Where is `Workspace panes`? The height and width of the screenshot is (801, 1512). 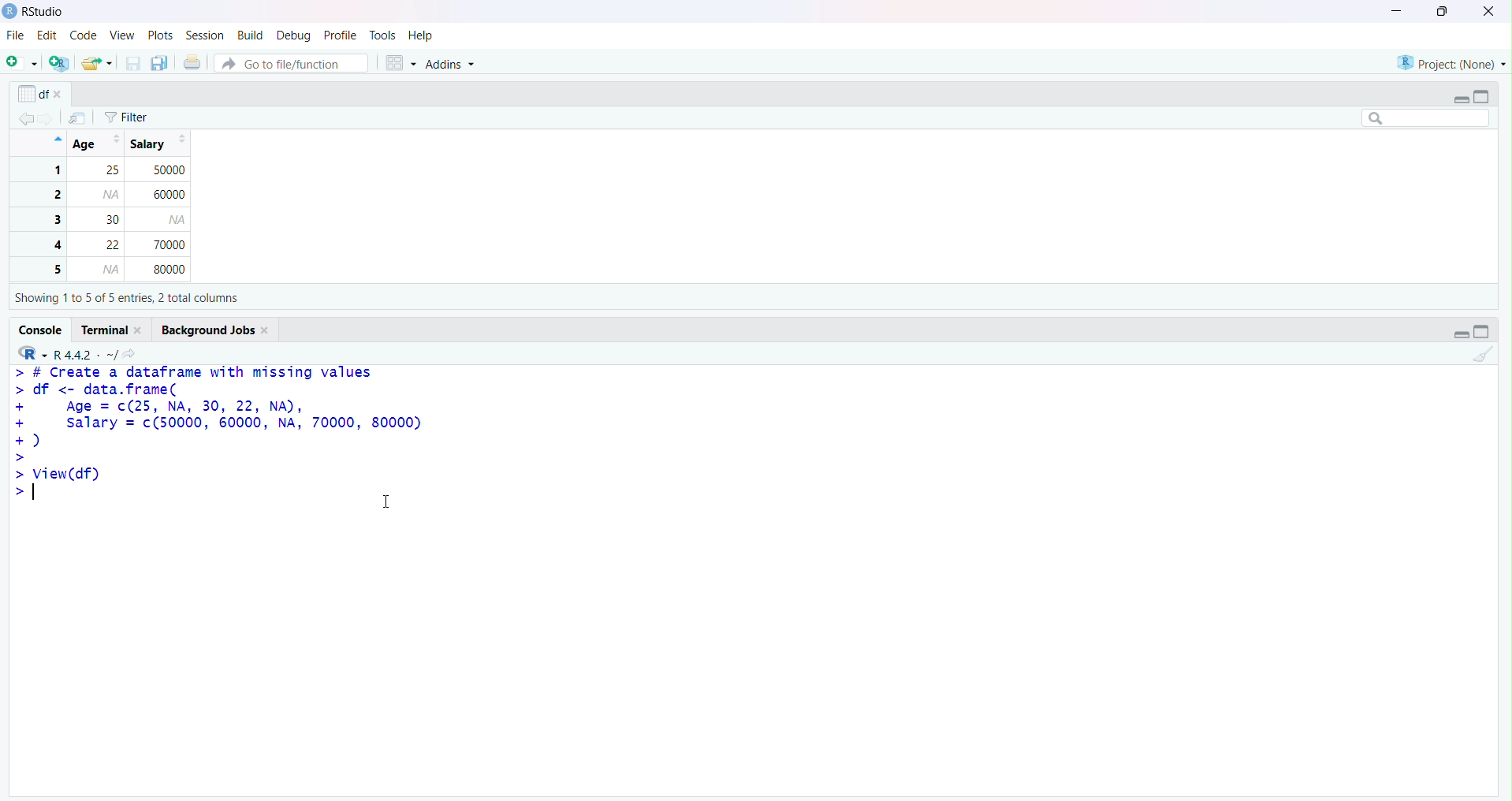 Workspace panes is located at coordinates (397, 59).